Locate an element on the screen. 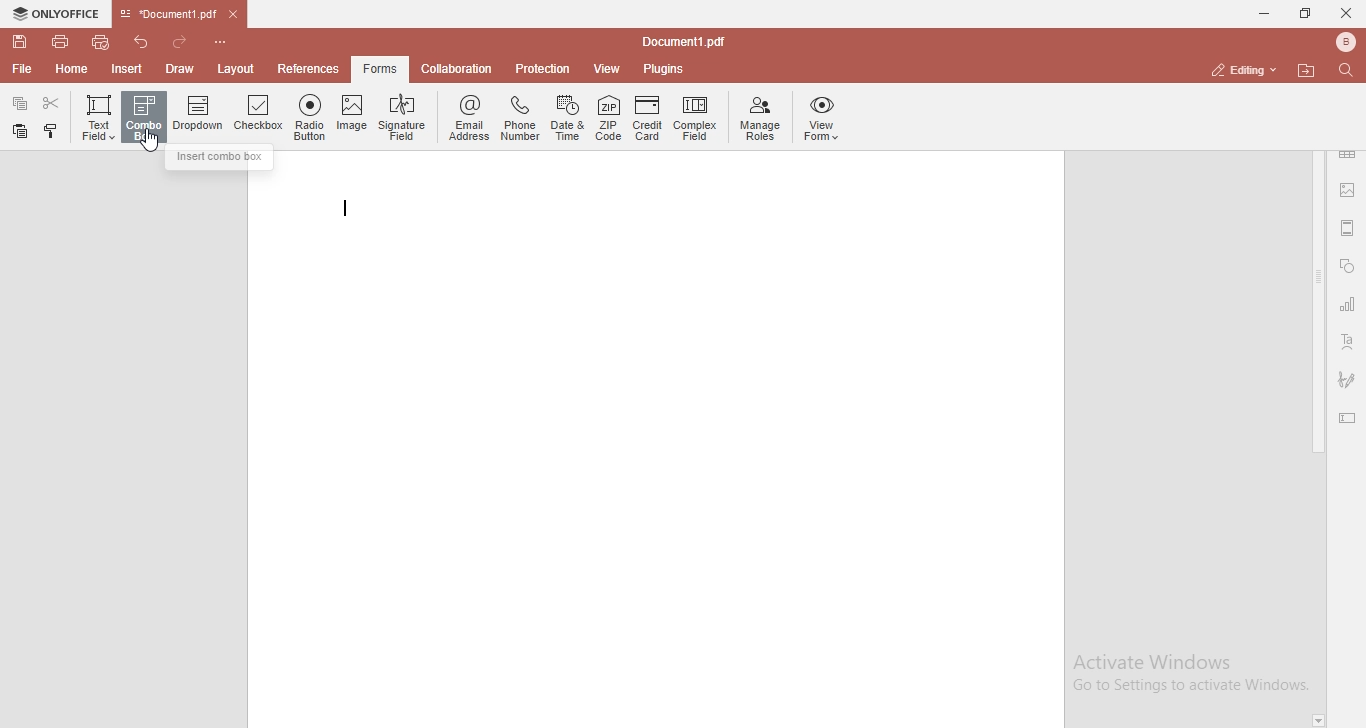  cursor is located at coordinates (155, 145).